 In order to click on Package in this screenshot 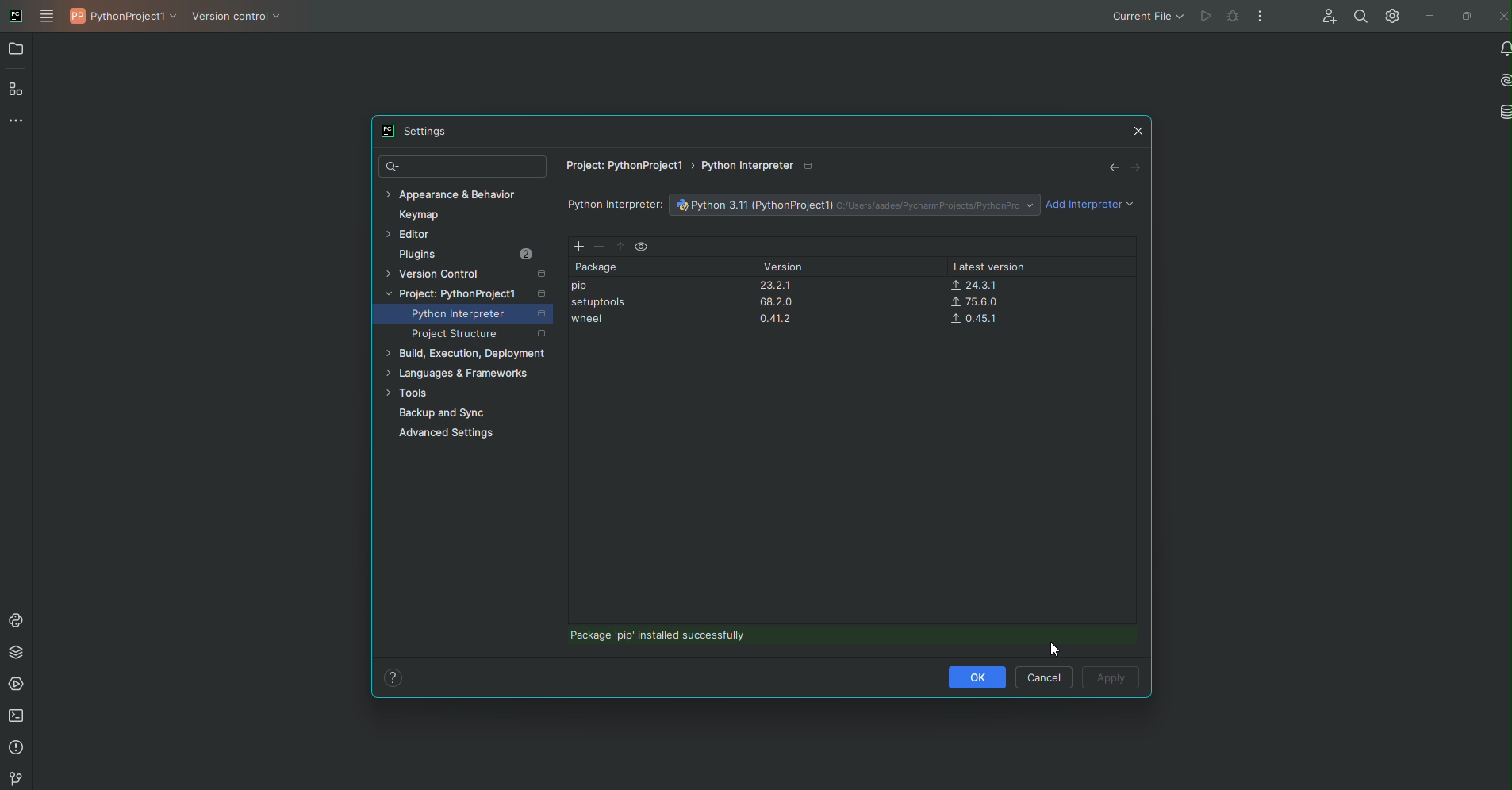, I will do `click(597, 267)`.